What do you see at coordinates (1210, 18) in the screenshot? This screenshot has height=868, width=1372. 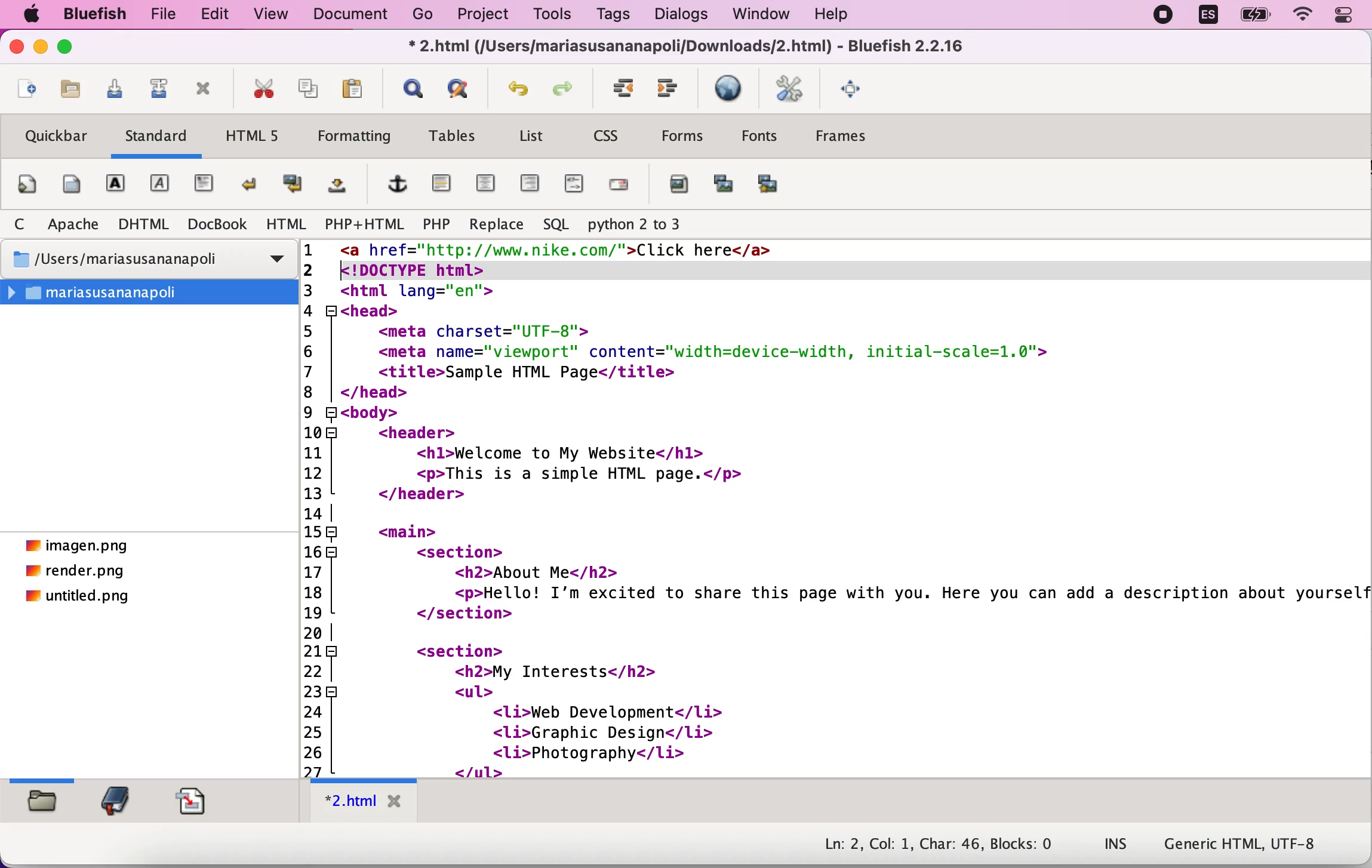 I see `language` at bounding box center [1210, 18].